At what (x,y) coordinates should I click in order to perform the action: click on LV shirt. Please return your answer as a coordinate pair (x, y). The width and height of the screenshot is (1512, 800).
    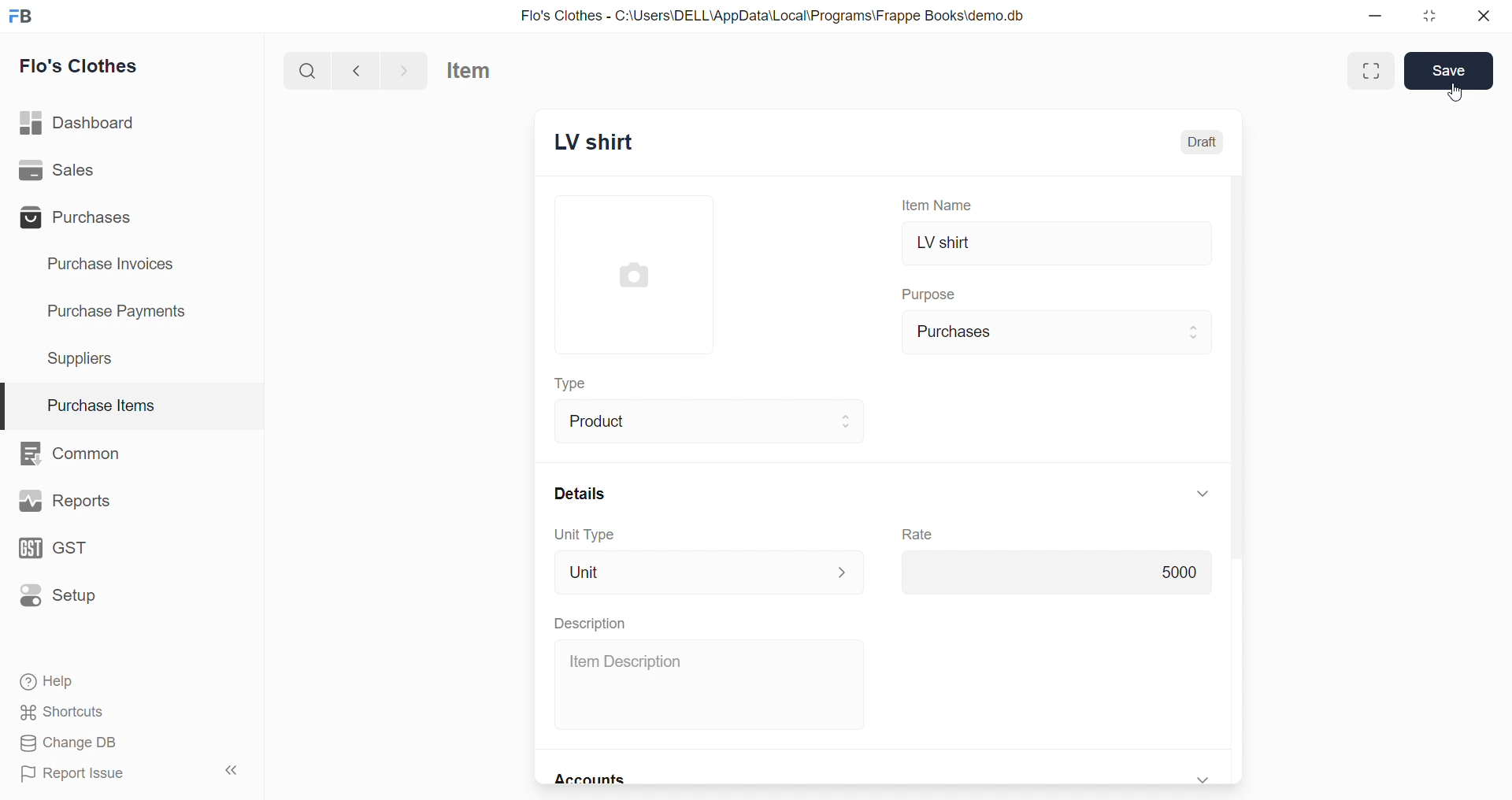
    Looking at the image, I should click on (1058, 245).